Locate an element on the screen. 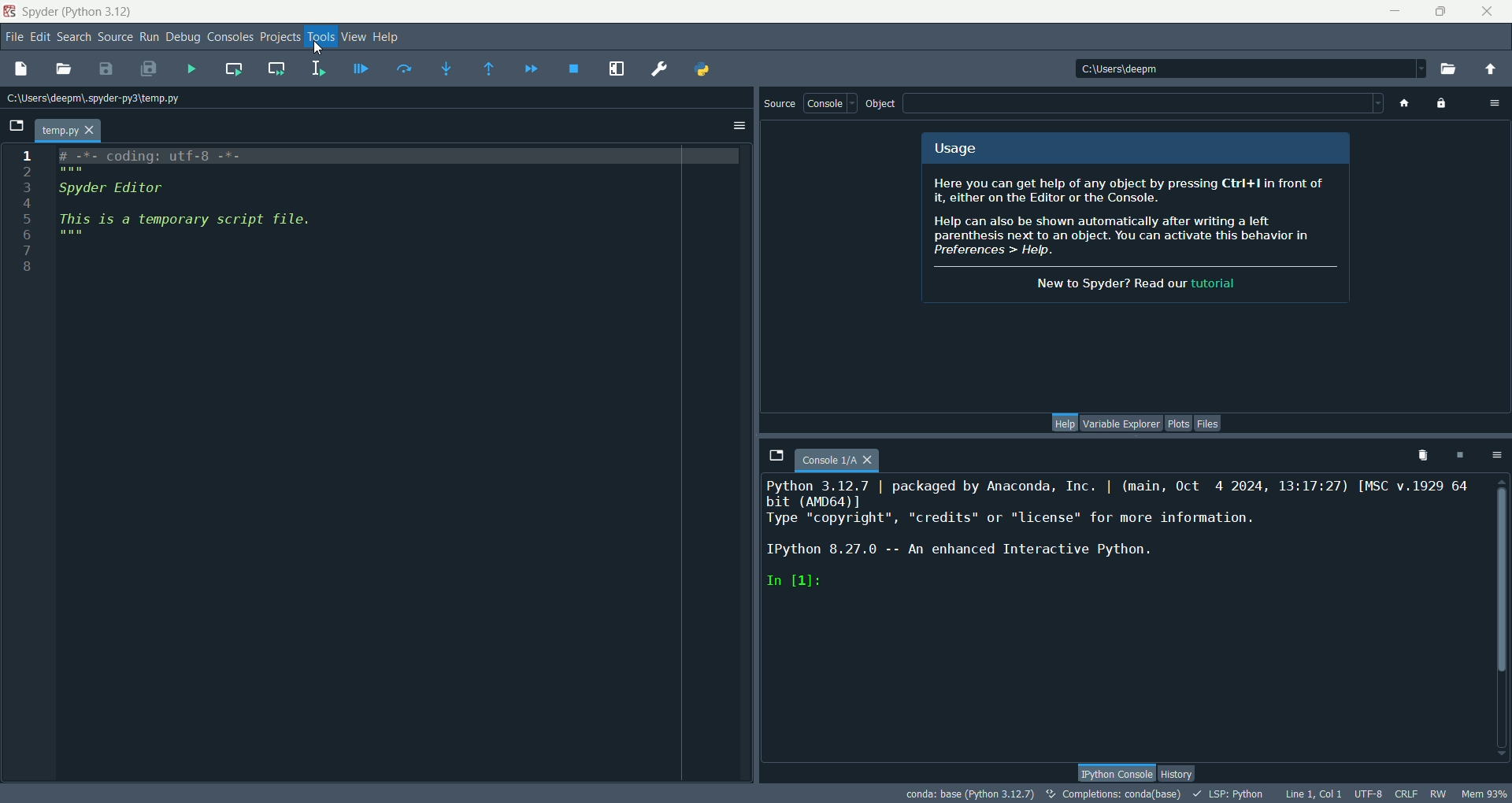 The image size is (1512, 803). run is located at coordinates (147, 36).